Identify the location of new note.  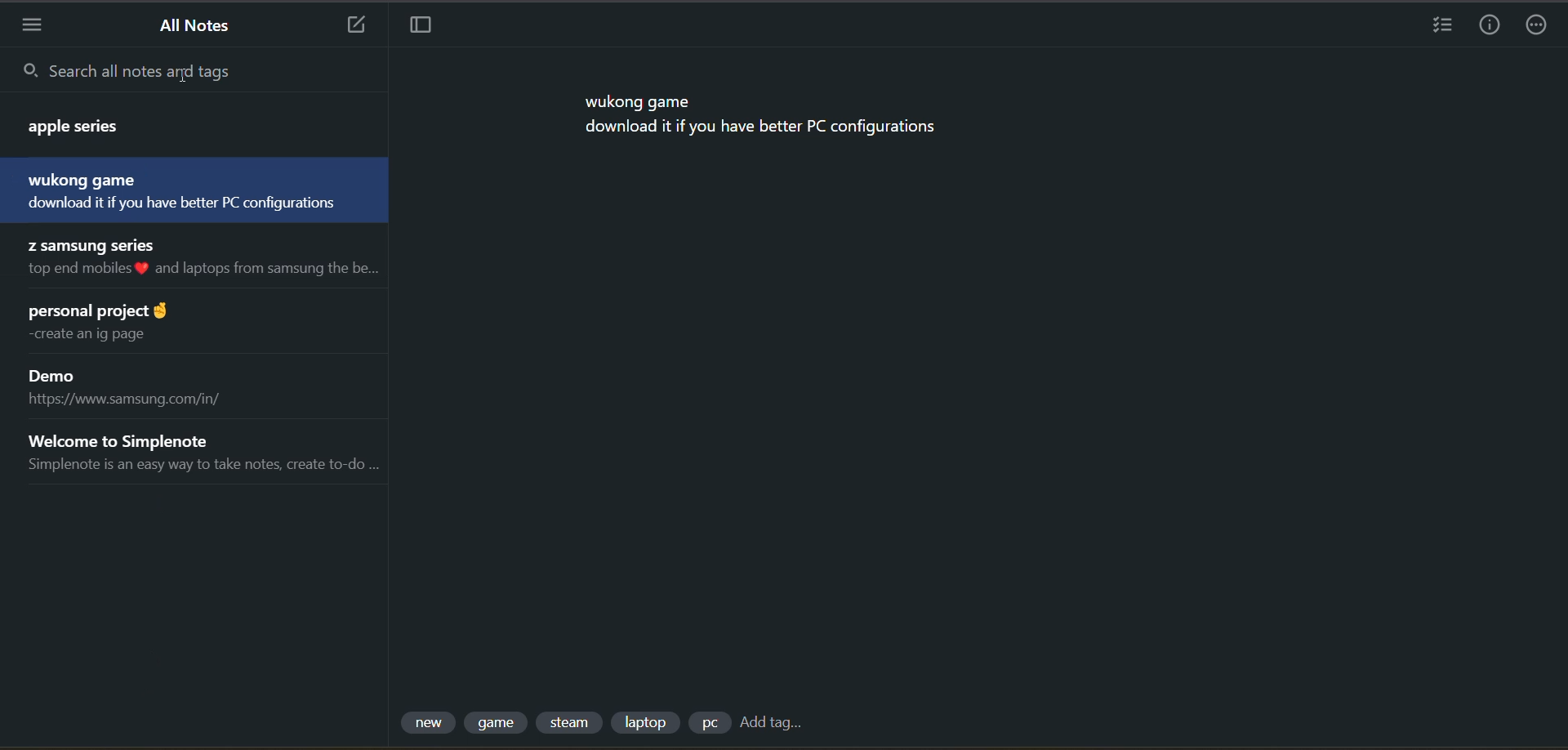
(355, 24).